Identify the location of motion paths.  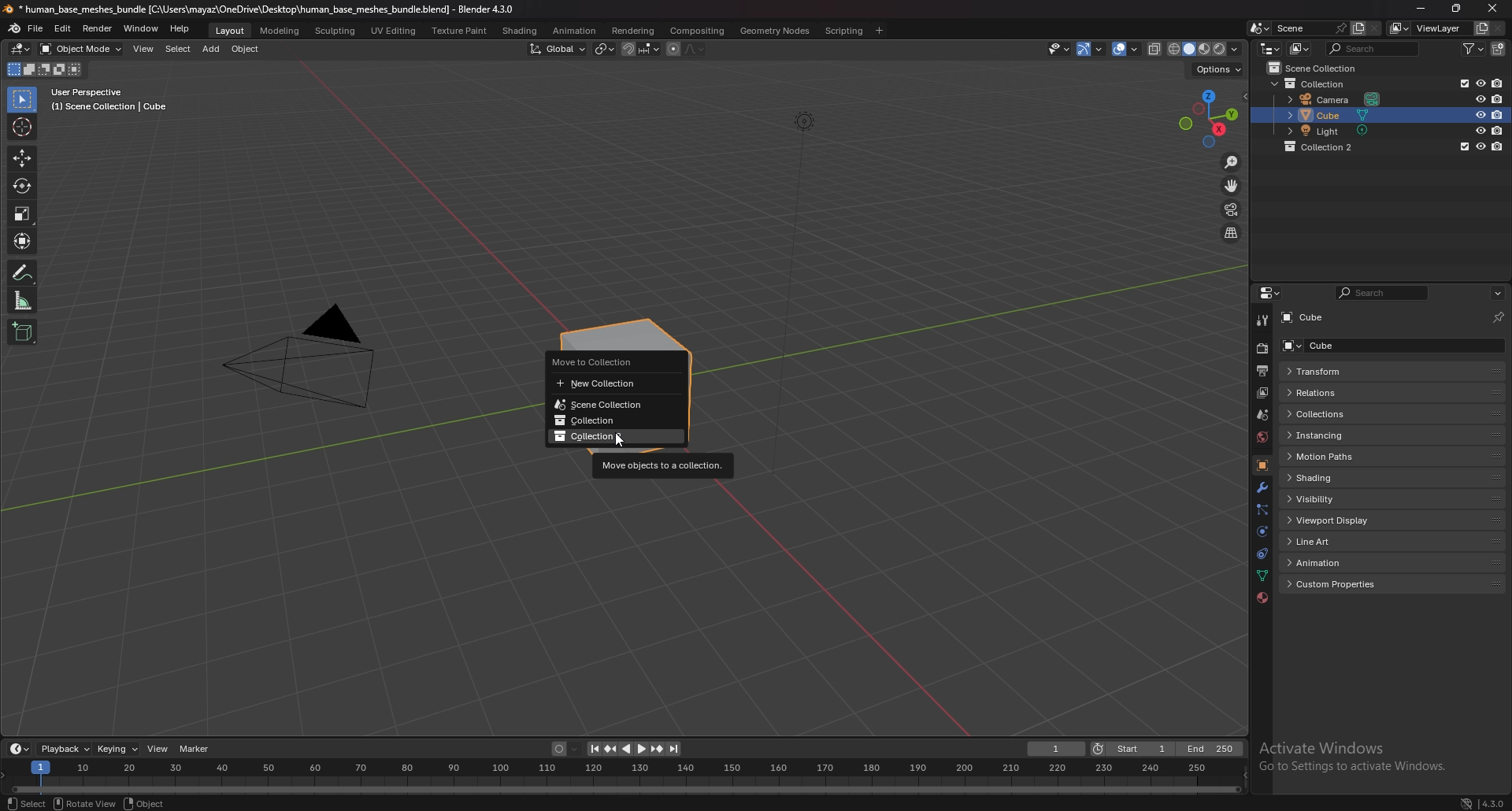
(1345, 457).